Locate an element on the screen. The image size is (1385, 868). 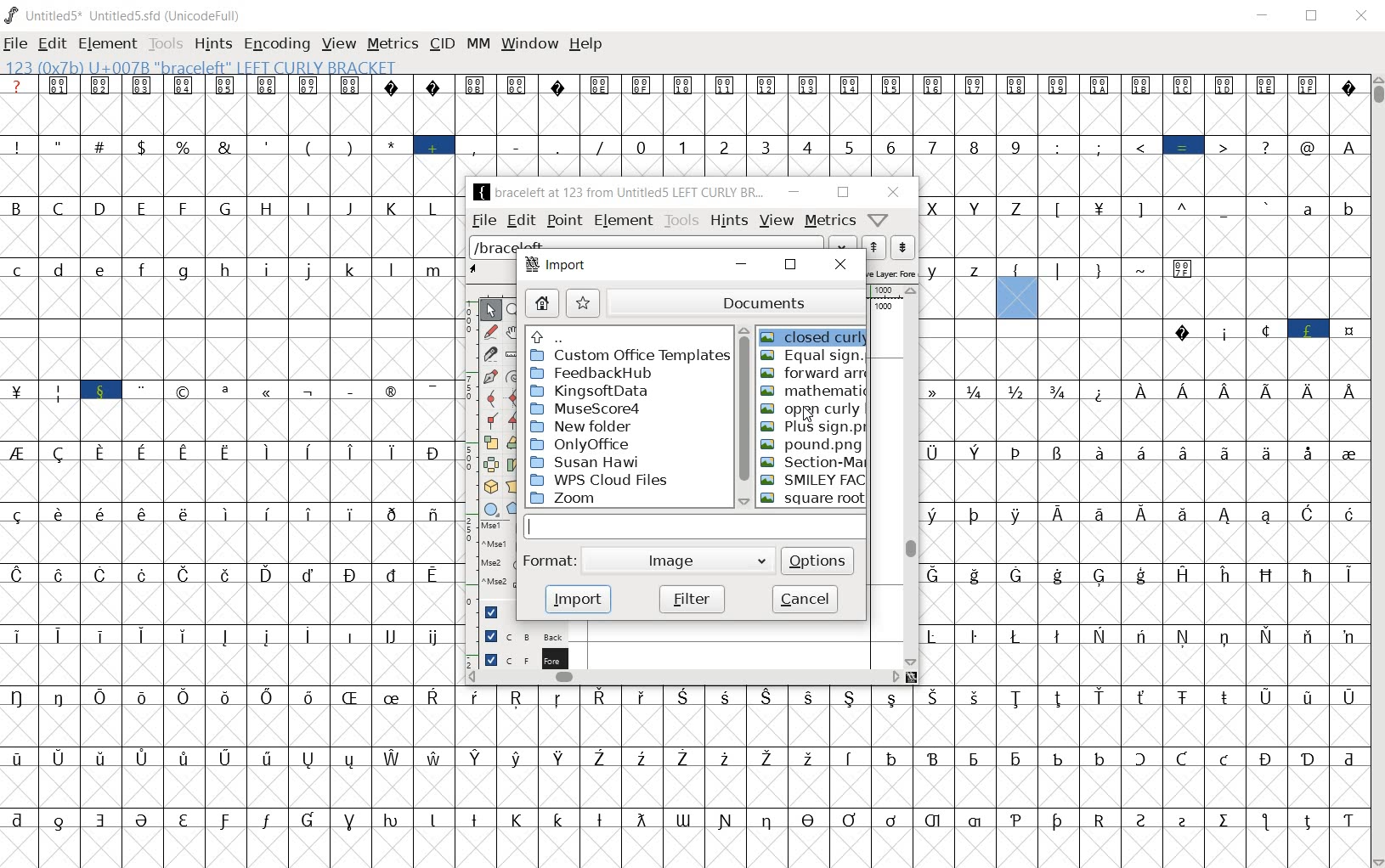
UNTITLED5* uNTITLED5.SFD (UnicodeFull) is located at coordinates (124, 16).